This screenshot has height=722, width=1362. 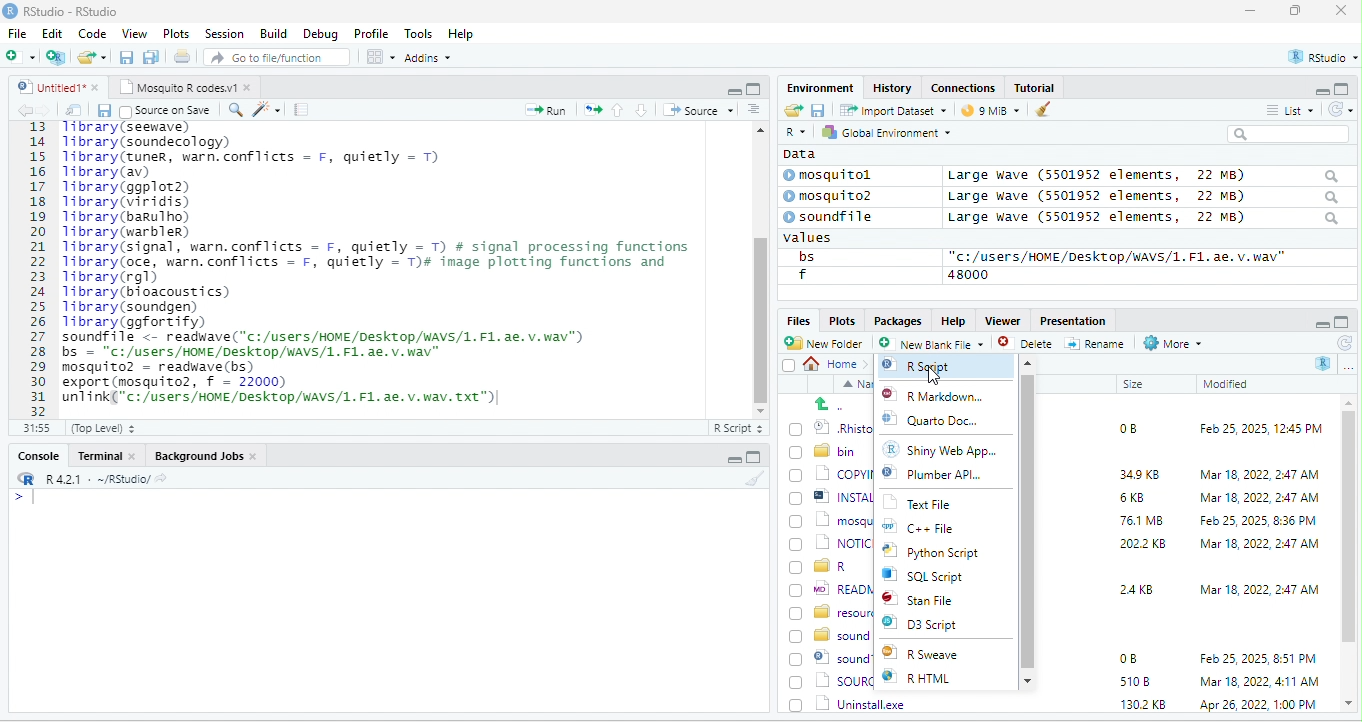 I want to click on values, so click(x=818, y=238).